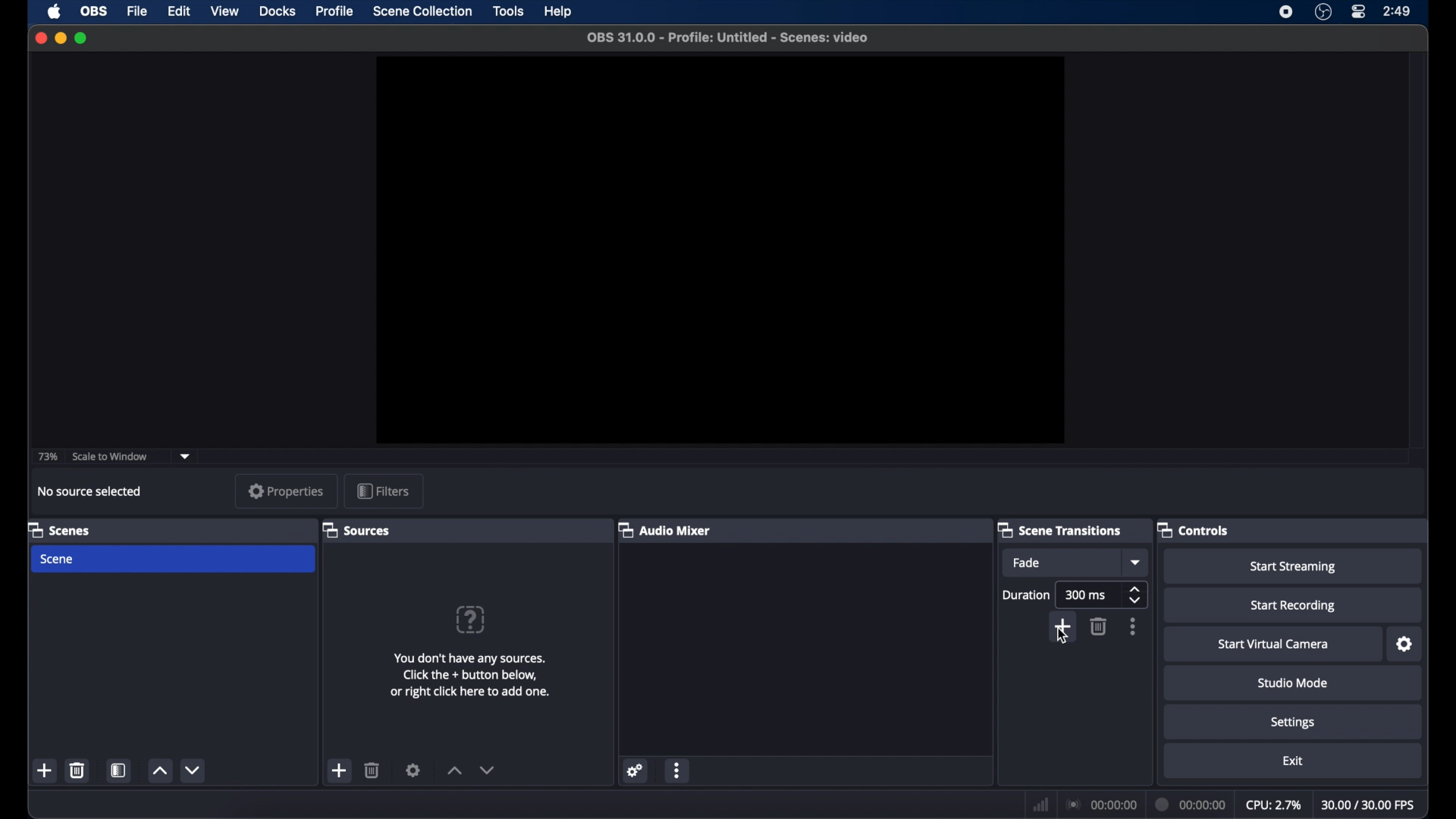  Describe the element at coordinates (40, 38) in the screenshot. I see `close` at that location.